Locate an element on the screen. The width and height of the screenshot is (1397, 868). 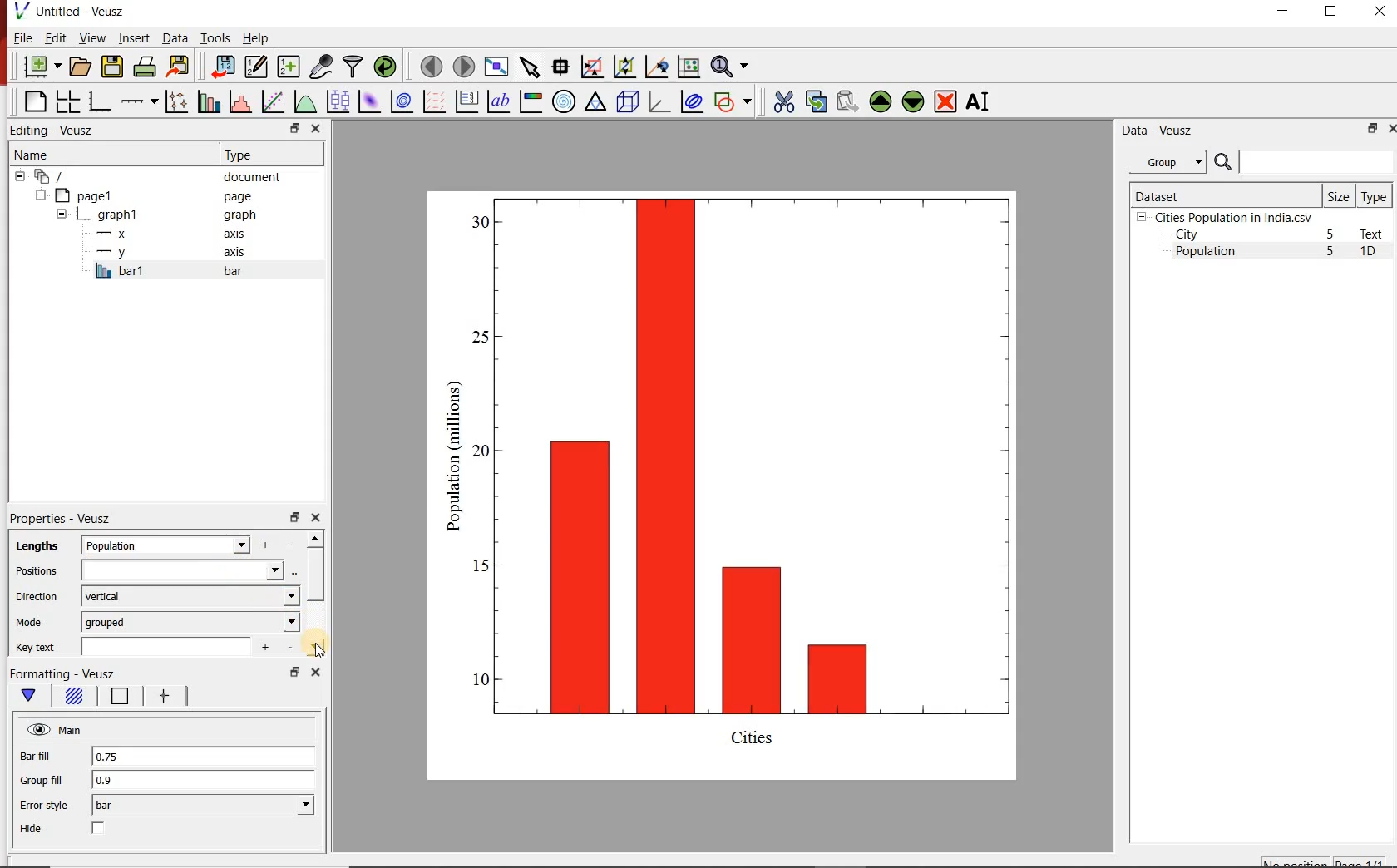
bar is located at coordinates (203, 806).